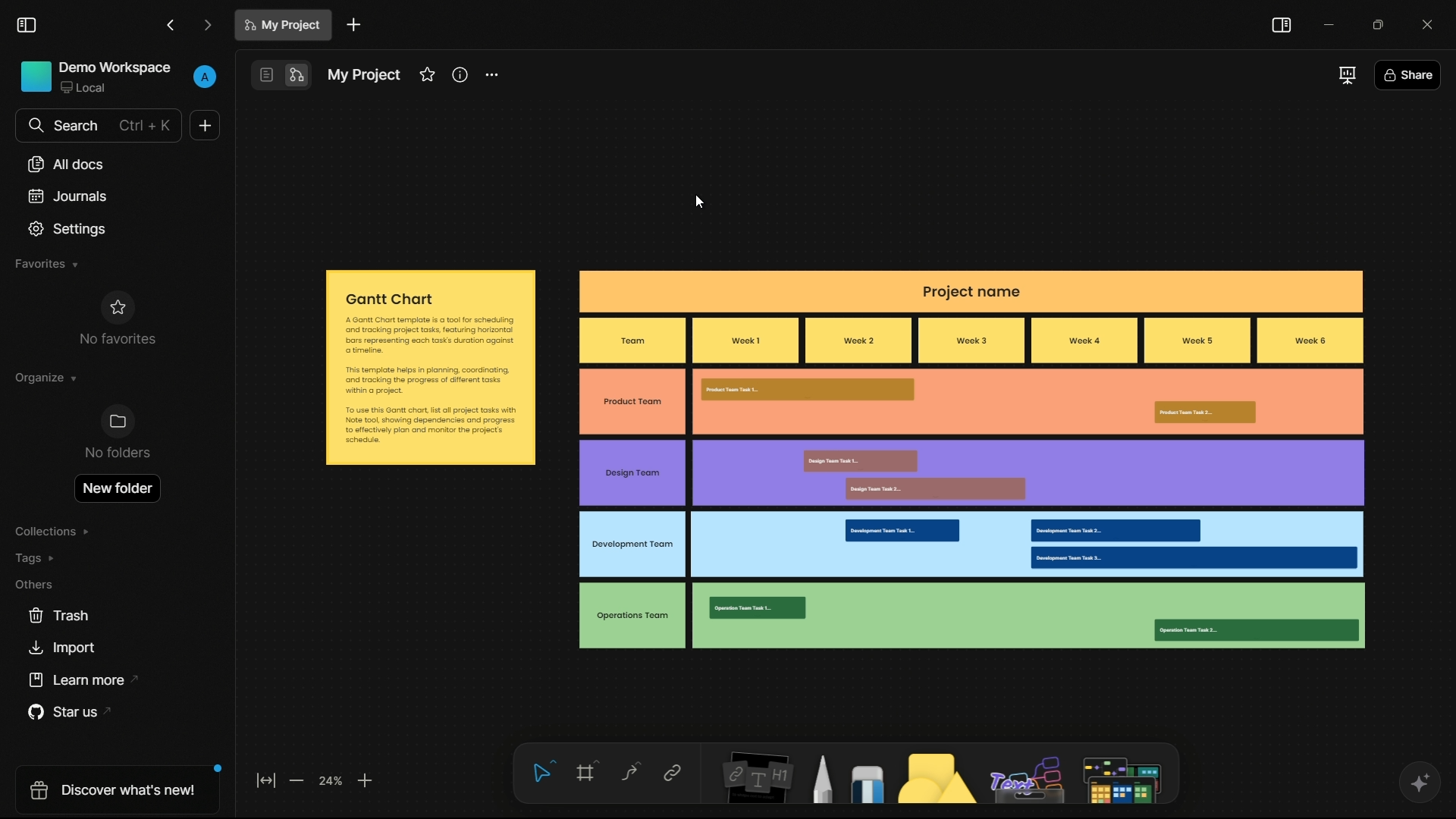  What do you see at coordinates (117, 317) in the screenshot?
I see `no favorites` at bounding box center [117, 317].